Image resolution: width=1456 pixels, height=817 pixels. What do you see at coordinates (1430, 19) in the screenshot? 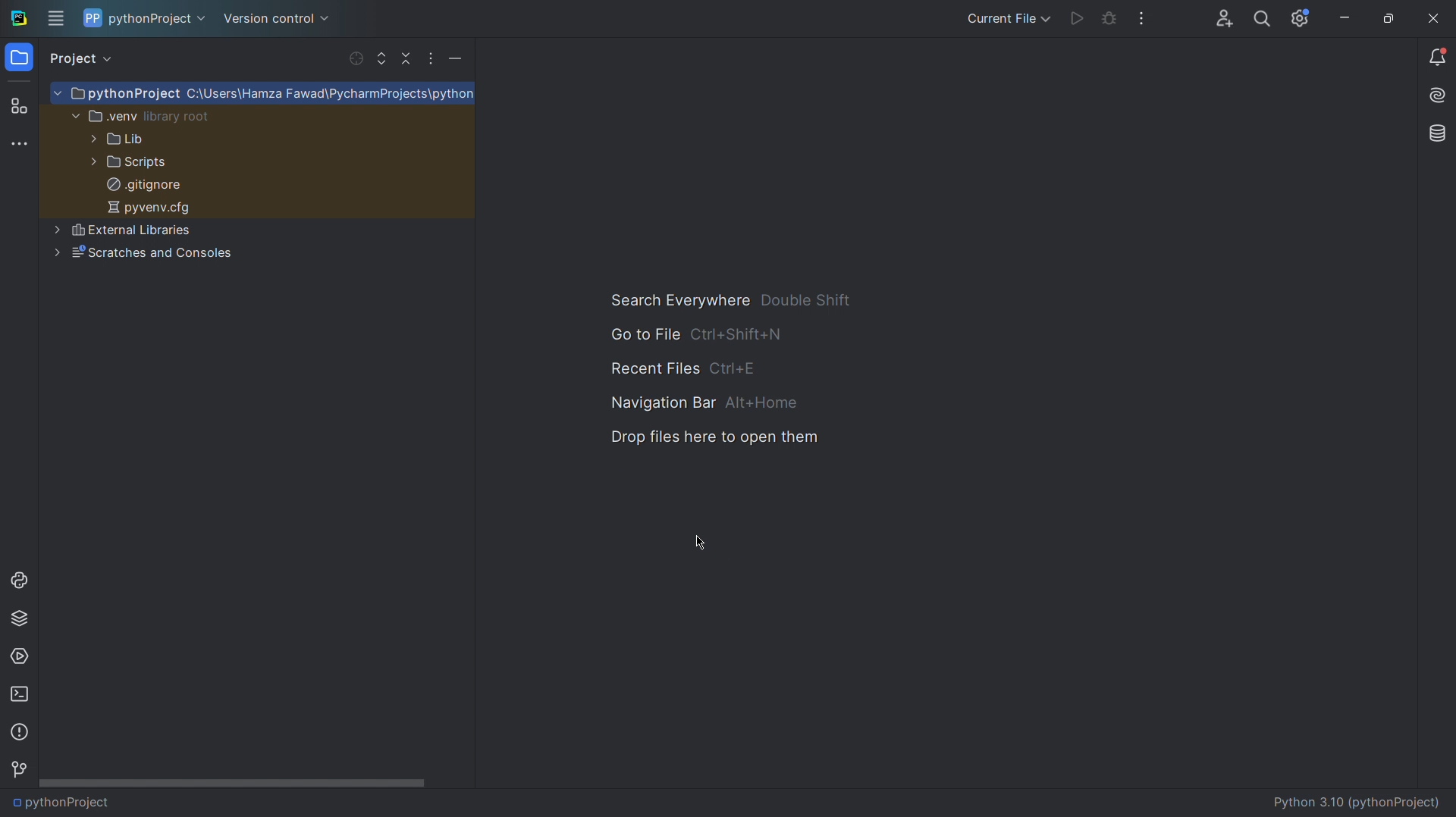
I see `close` at bounding box center [1430, 19].